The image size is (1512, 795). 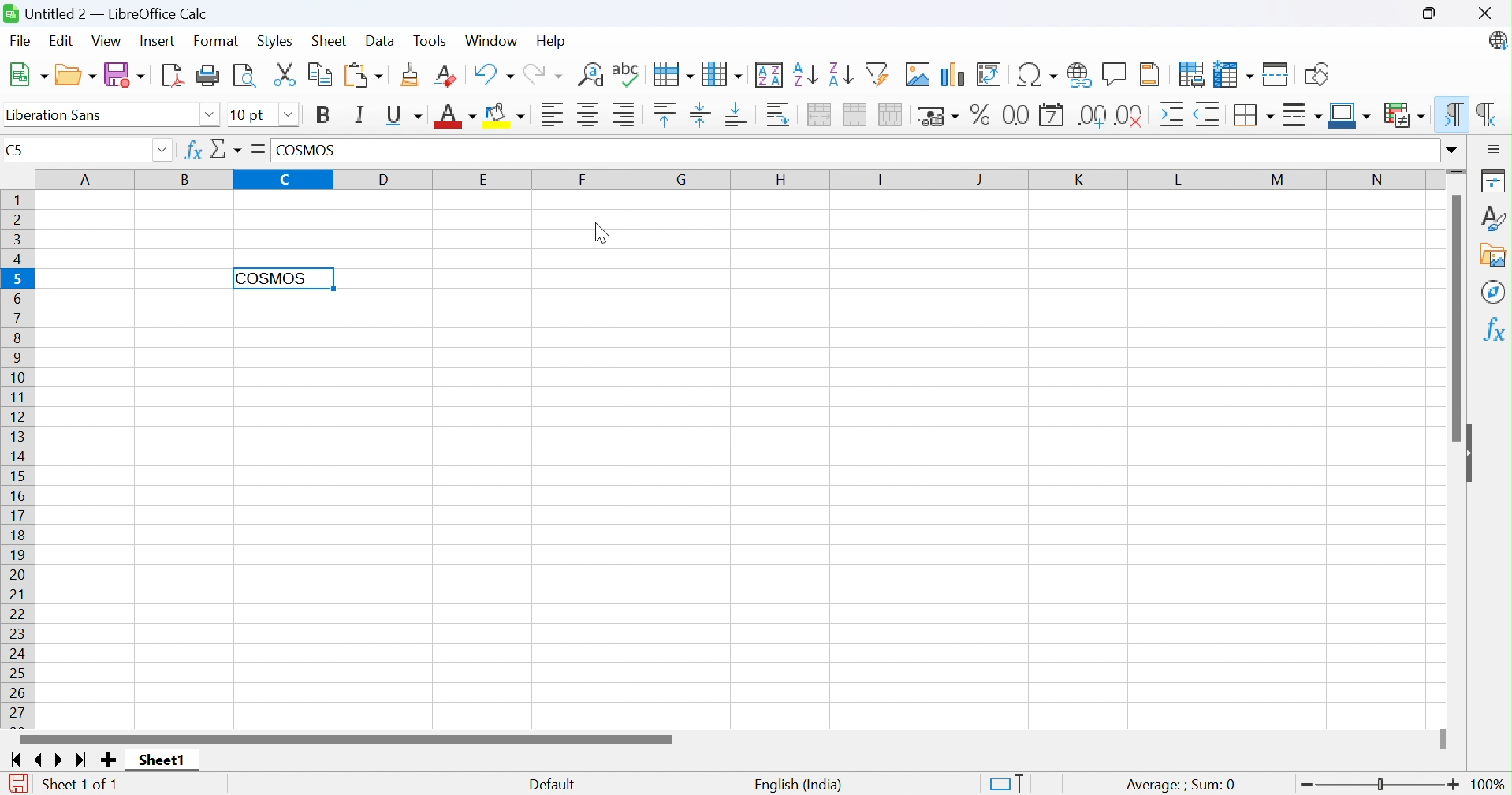 I want to click on Format as date, so click(x=1053, y=114).